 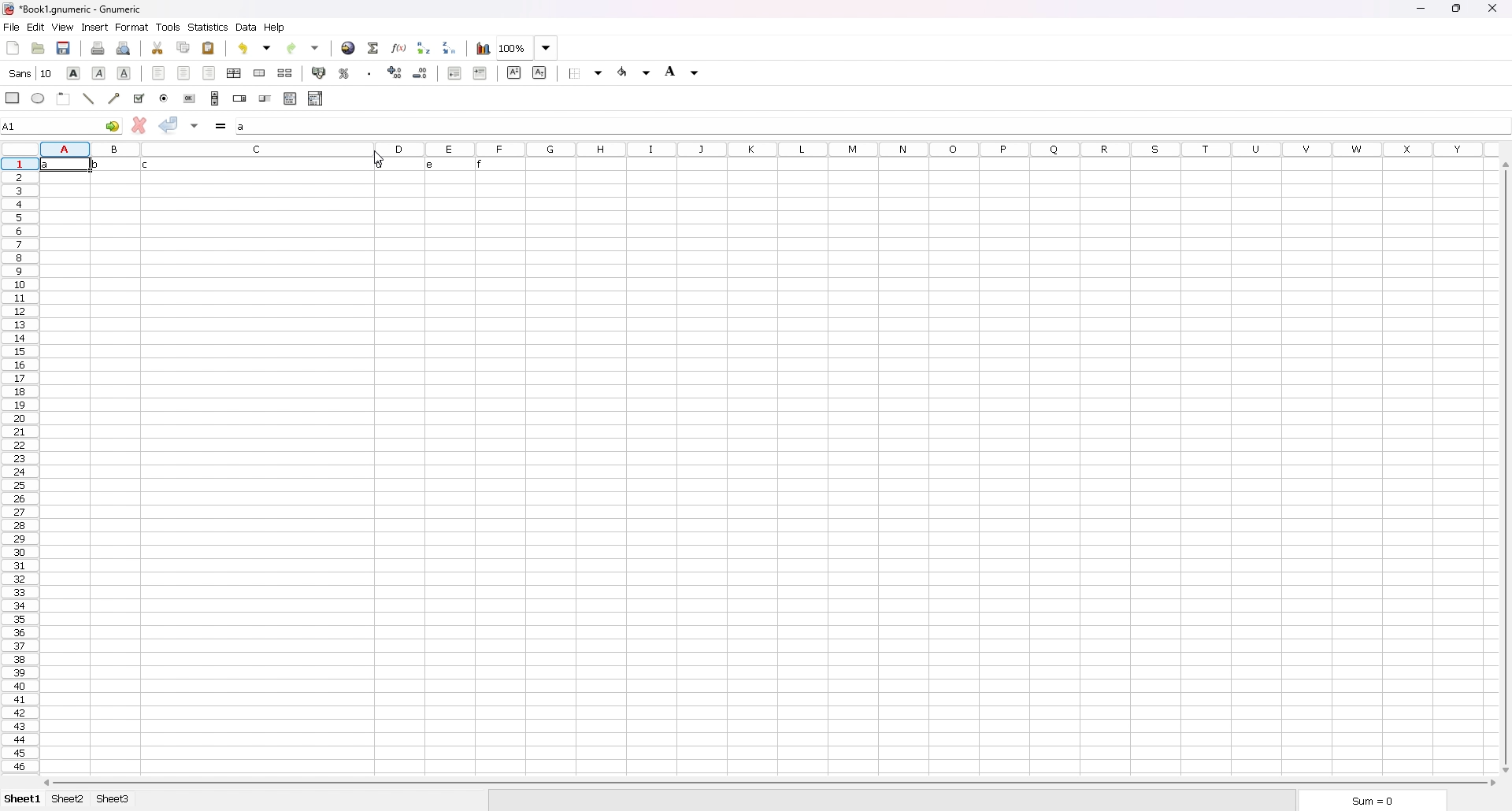 I want to click on resize, so click(x=1456, y=9).